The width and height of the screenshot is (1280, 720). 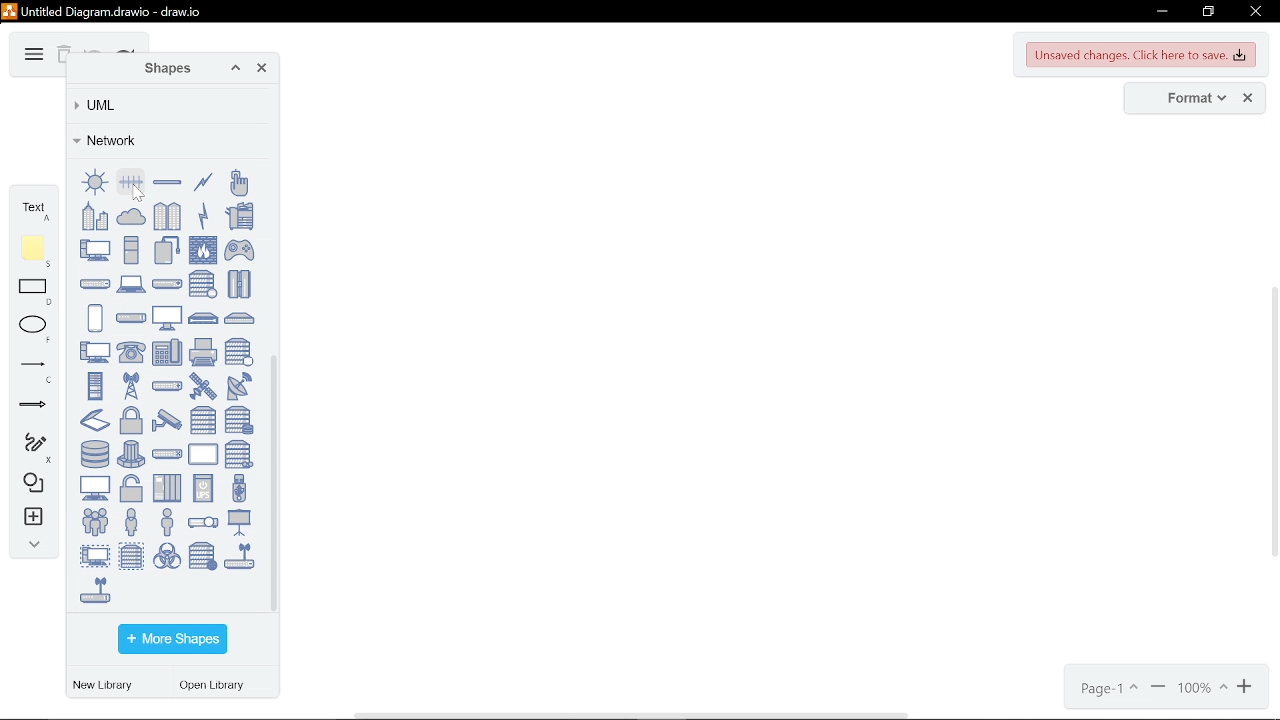 I want to click on diagram, so click(x=32, y=55).